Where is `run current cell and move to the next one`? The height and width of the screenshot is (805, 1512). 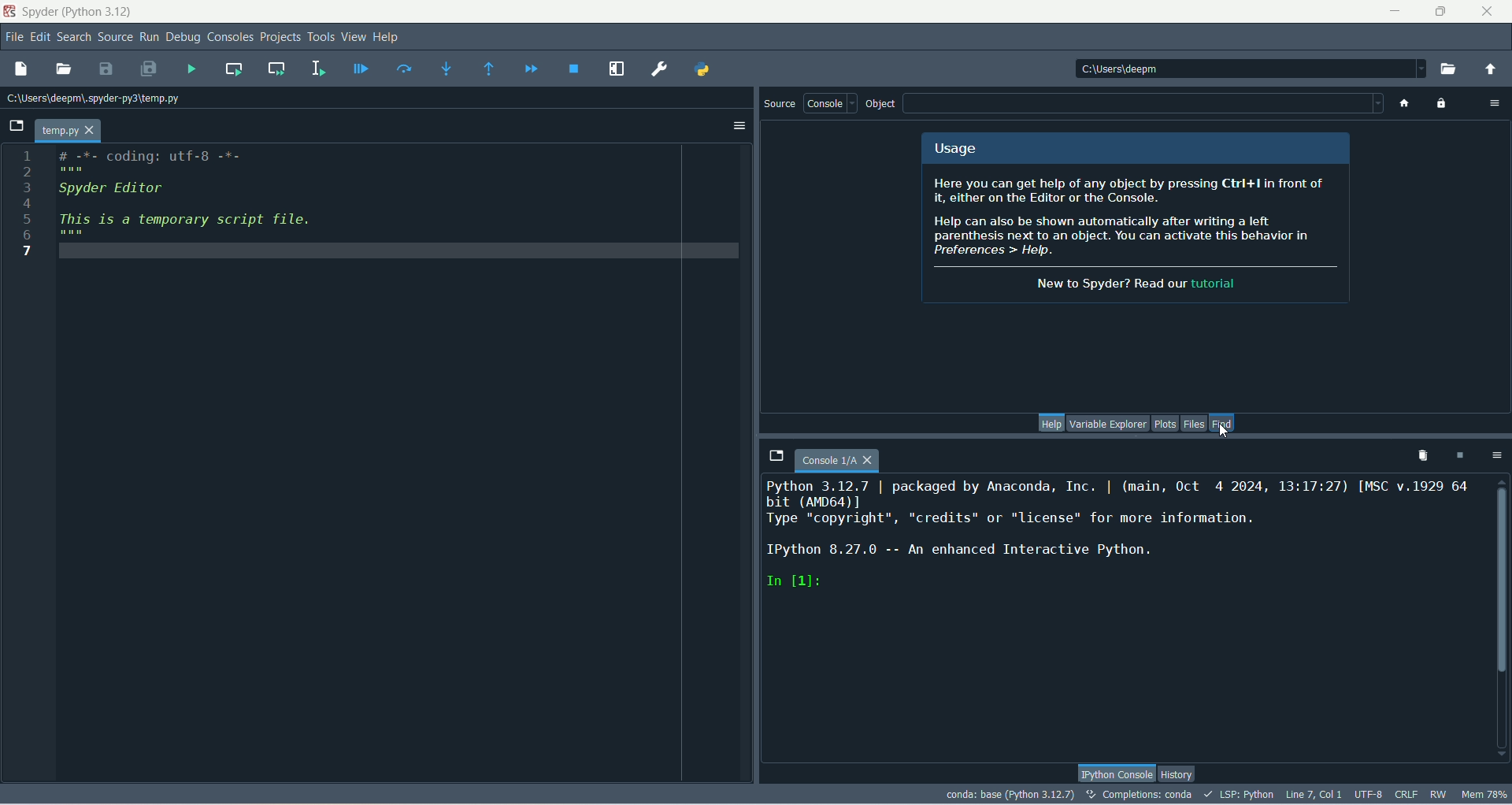
run current cell and move to the next one is located at coordinates (276, 68).